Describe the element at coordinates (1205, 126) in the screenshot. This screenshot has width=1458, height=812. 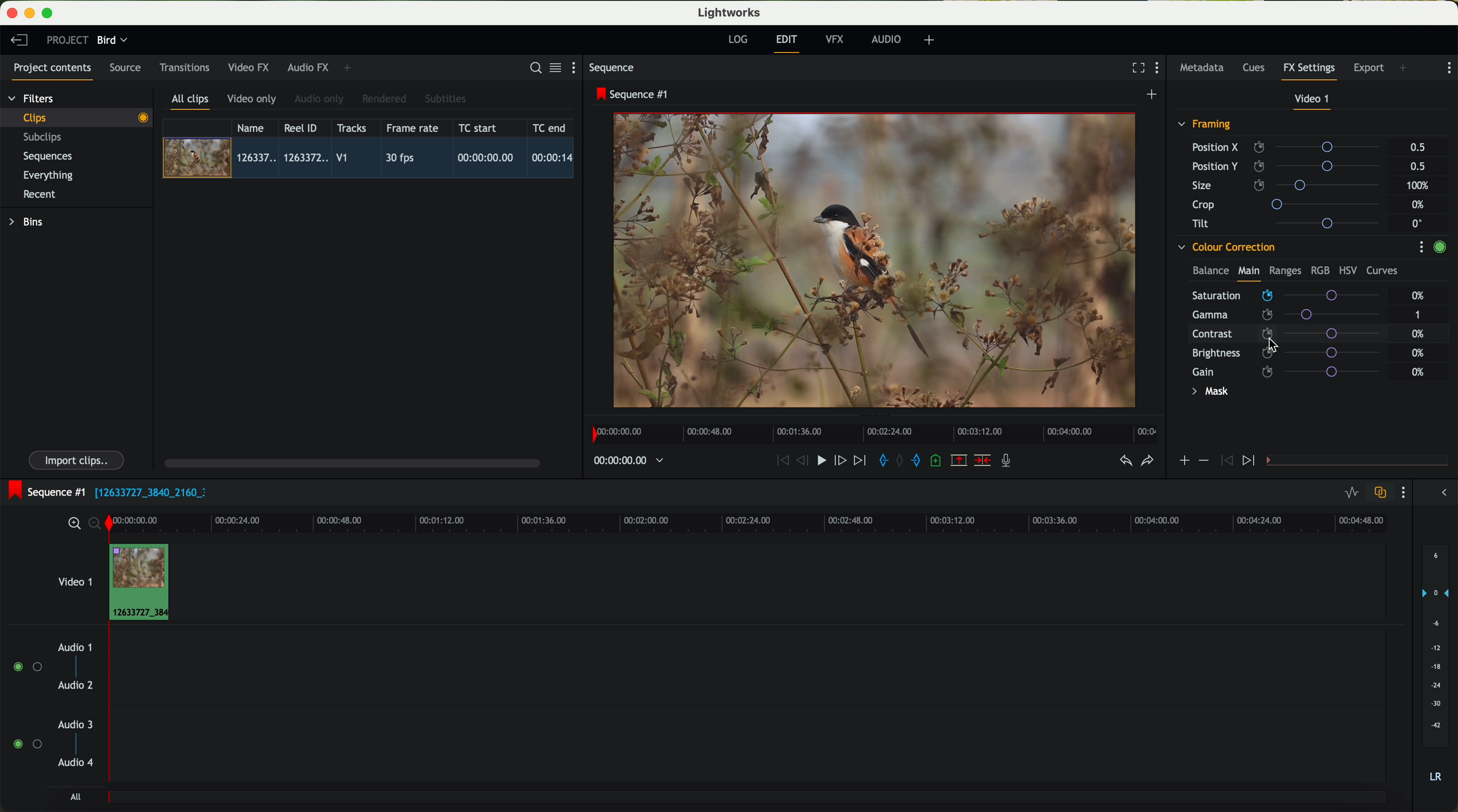
I see `framing` at that location.